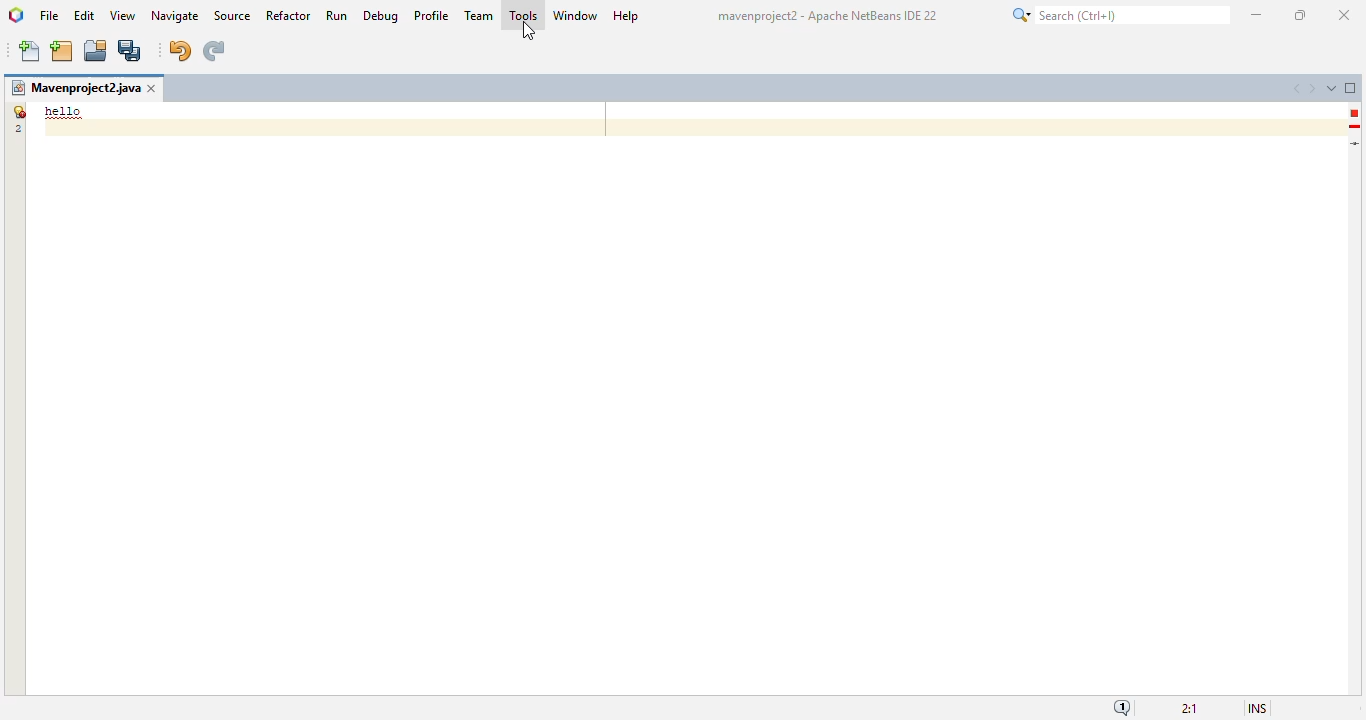 The height and width of the screenshot is (720, 1366). Describe the element at coordinates (1311, 89) in the screenshot. I see `scroll documents right` at that location.